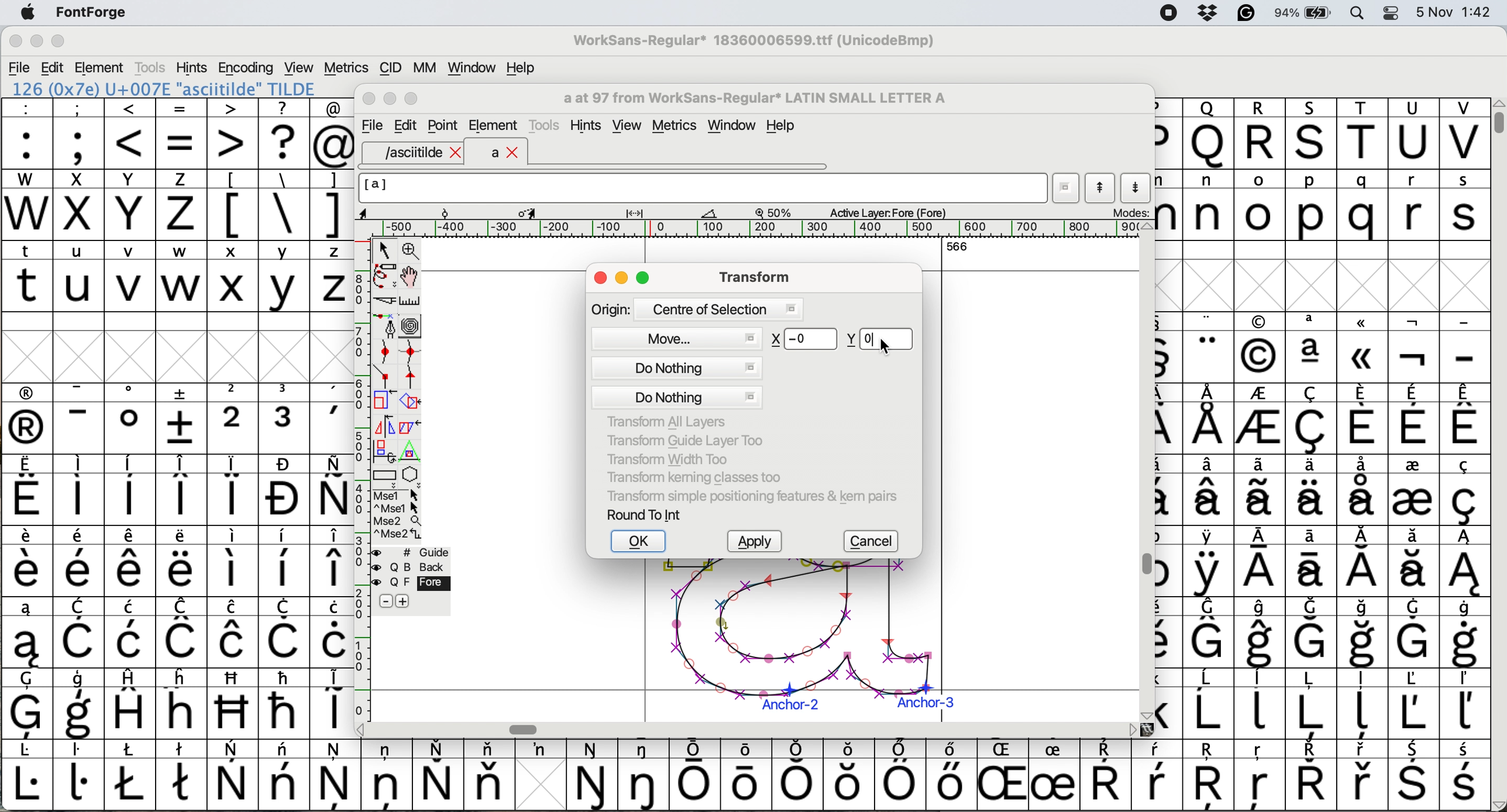 The height and width of the screenshot is (812, 1507). I want to click on close, so click(600, 279).